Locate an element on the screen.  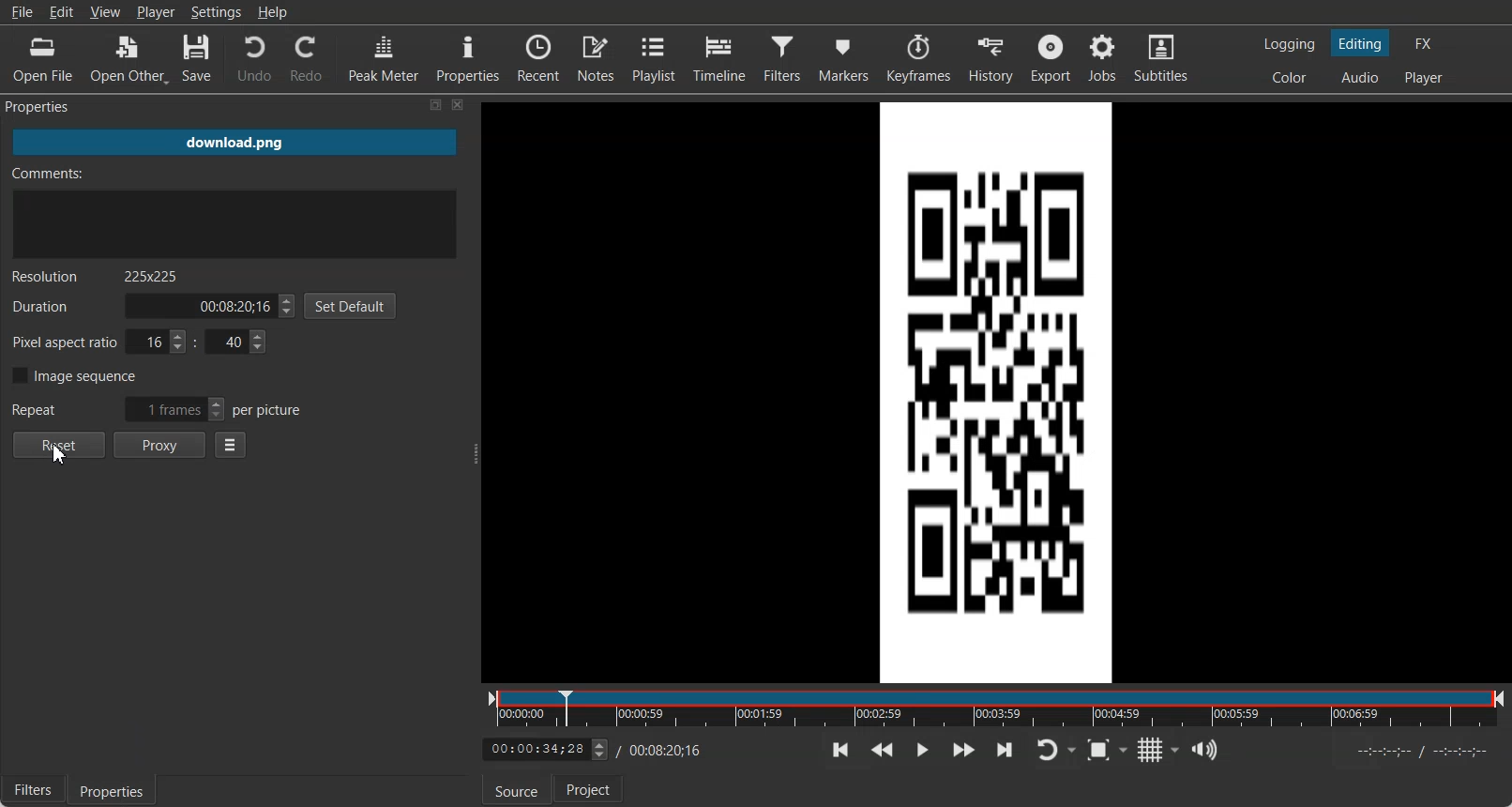
Subtitles is located at coordinates (1161, 59).